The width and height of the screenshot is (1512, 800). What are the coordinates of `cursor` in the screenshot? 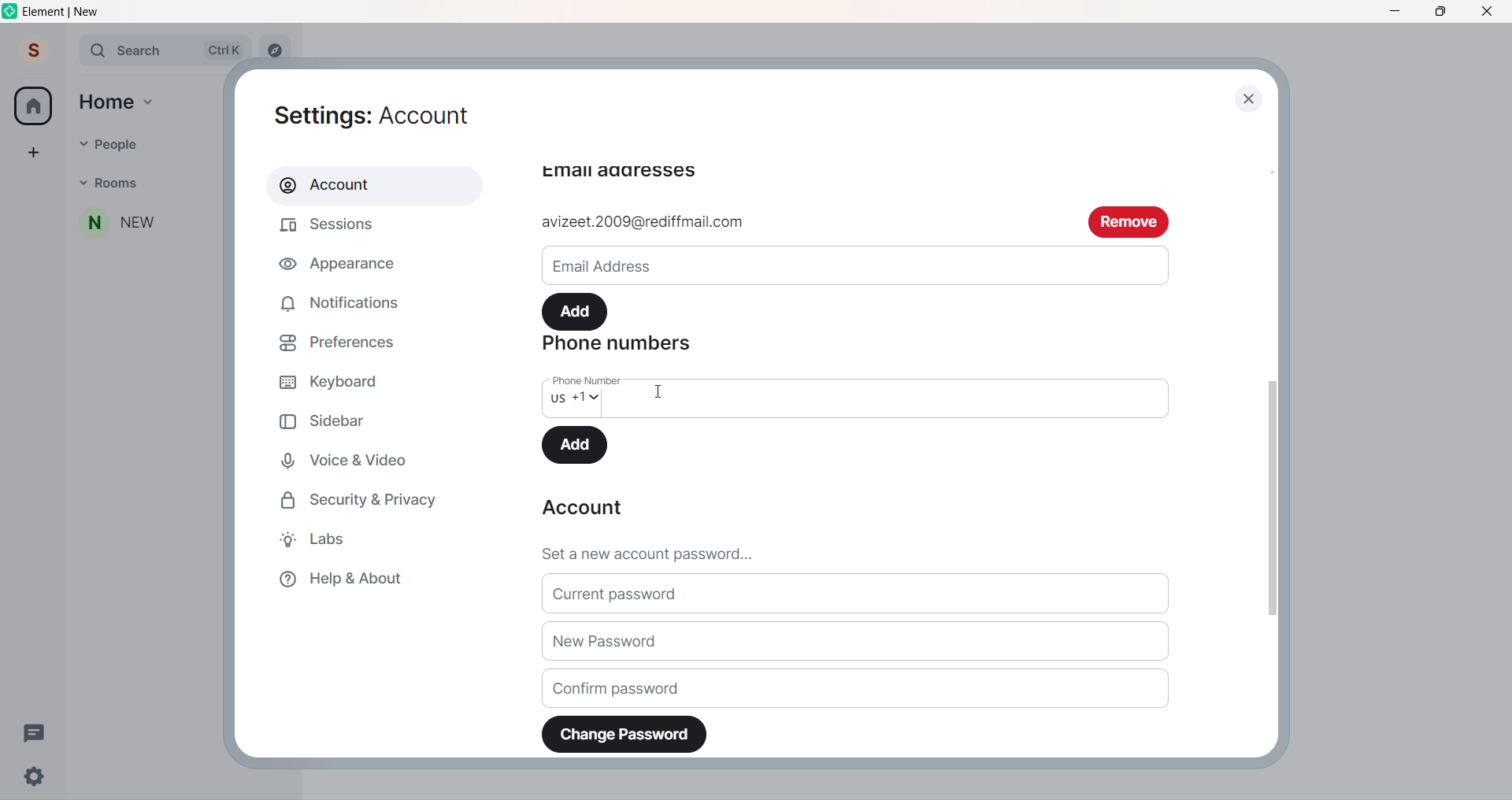 It's located at (659, 393).